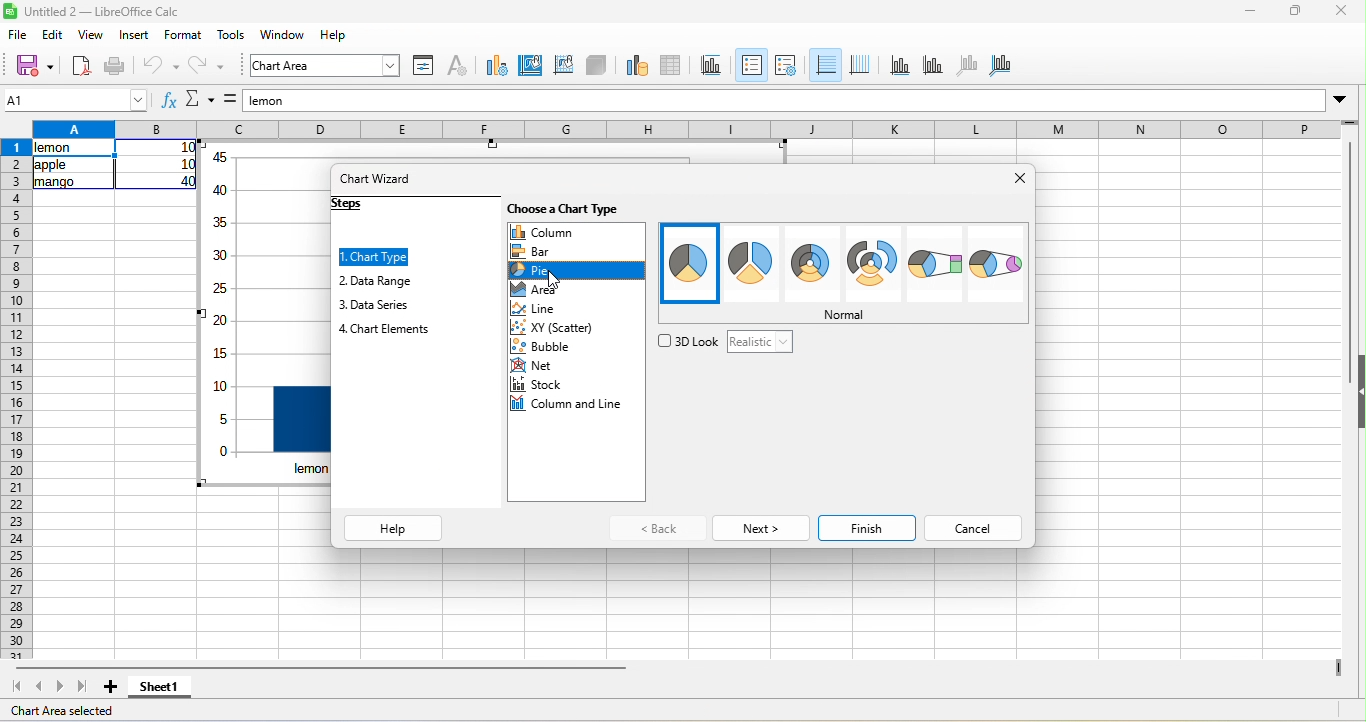  Describe the element at coordinates (231, 37) in the screenshot. I see `tools` at that location.